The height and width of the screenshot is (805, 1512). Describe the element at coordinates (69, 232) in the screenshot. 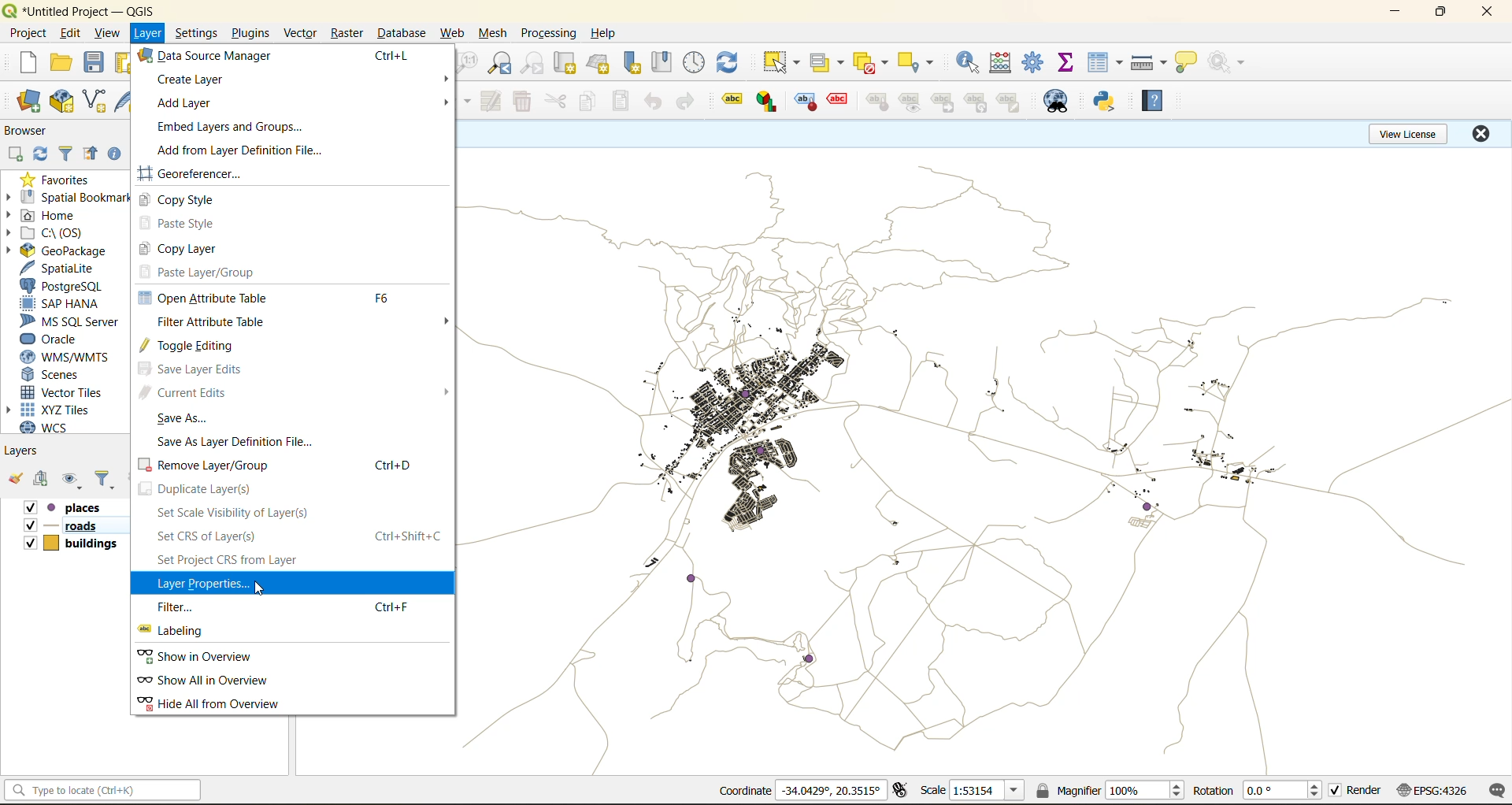

I see `c\:os` at that location.